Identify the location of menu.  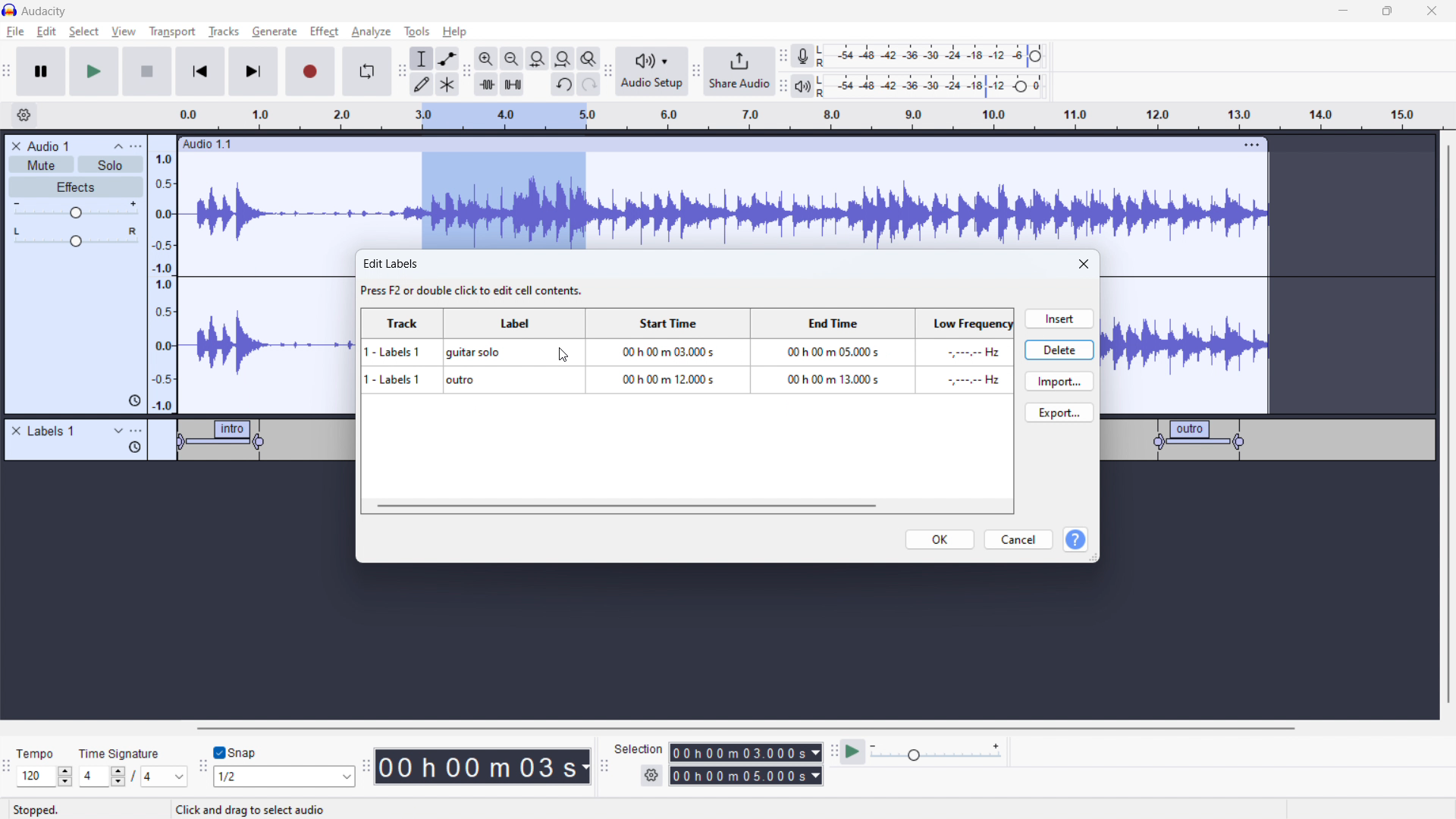
(137, 146).